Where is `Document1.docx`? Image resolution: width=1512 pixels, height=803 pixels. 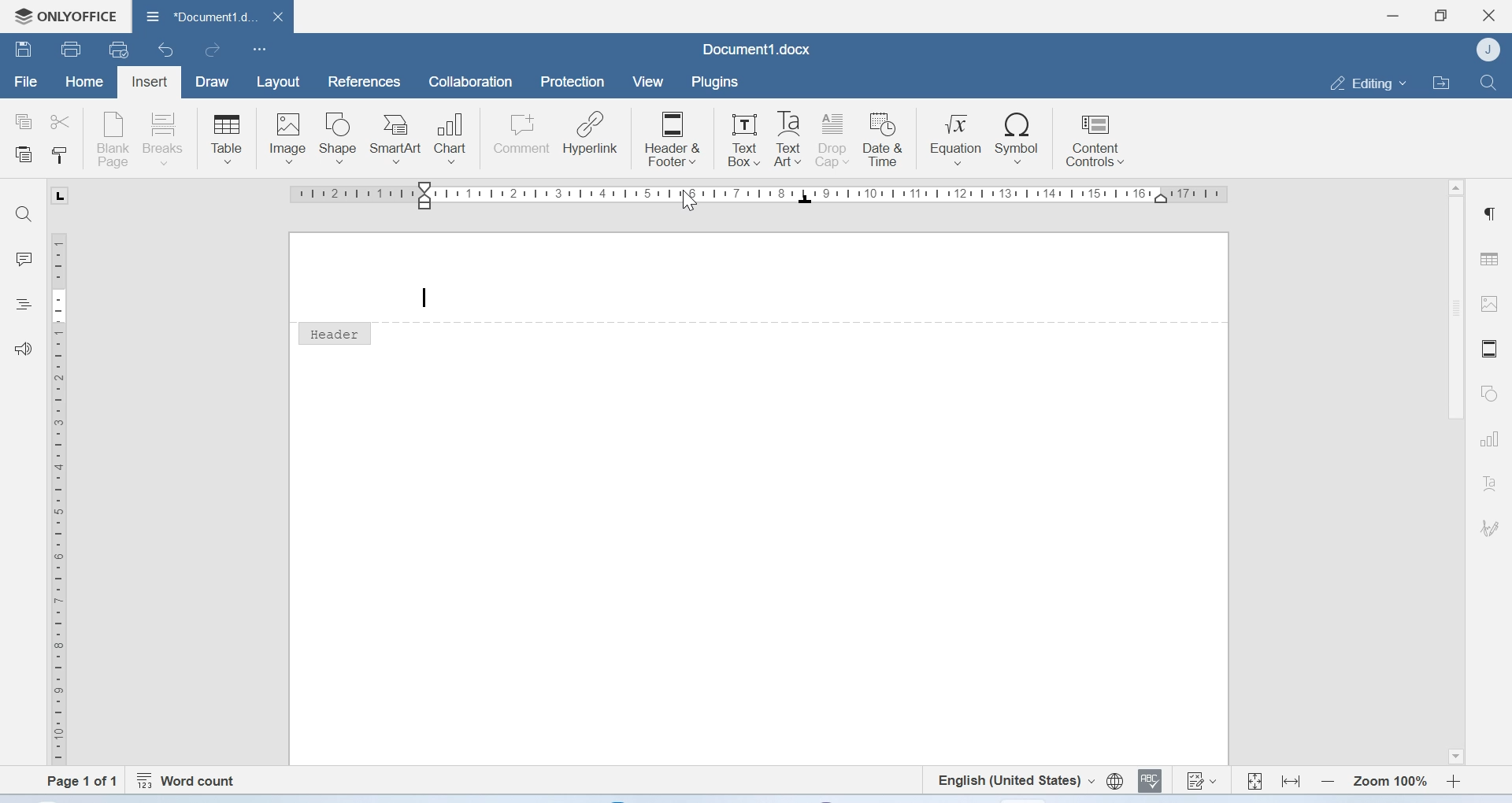 Document1.docx is located at coordinates (756, 49).